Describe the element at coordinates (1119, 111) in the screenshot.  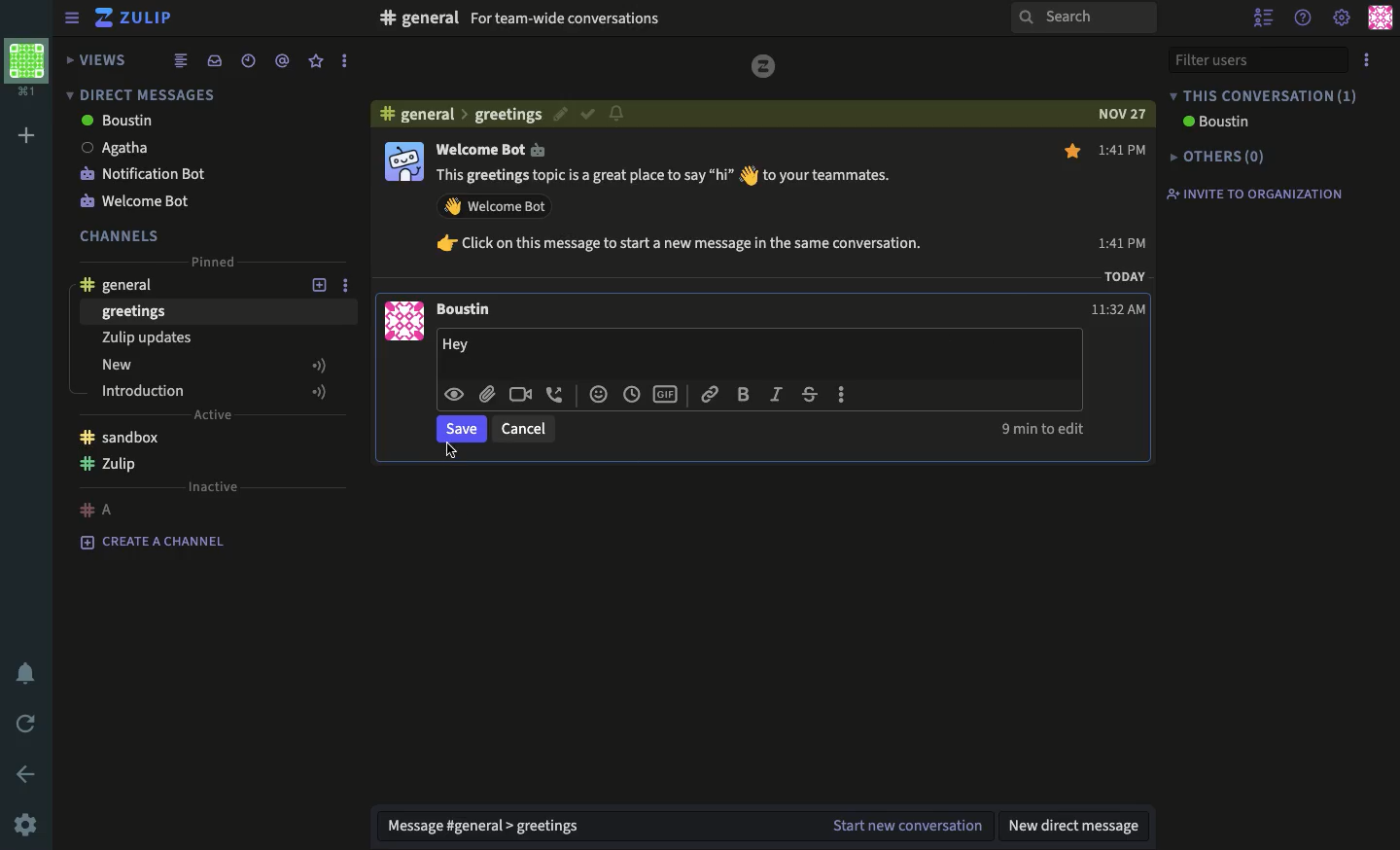
I see `NOV 23` at that location.